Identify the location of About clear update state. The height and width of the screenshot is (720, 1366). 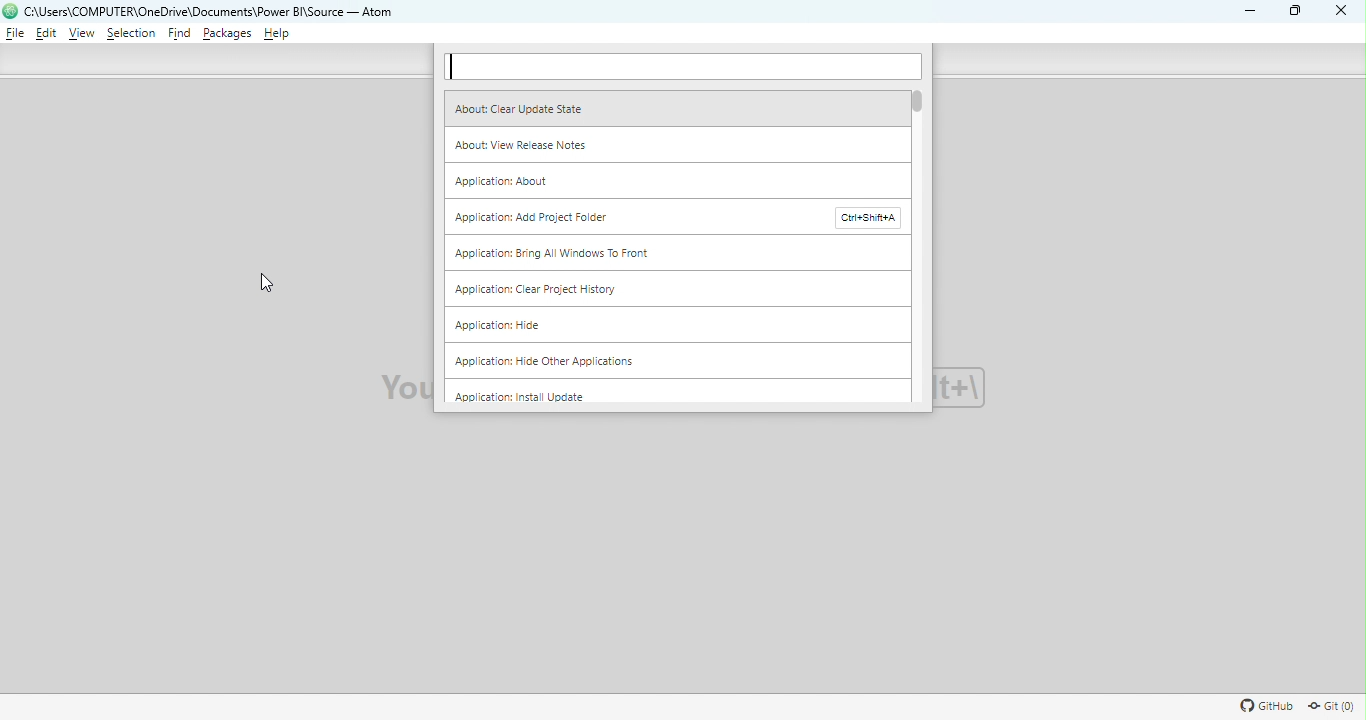
(677, 109).